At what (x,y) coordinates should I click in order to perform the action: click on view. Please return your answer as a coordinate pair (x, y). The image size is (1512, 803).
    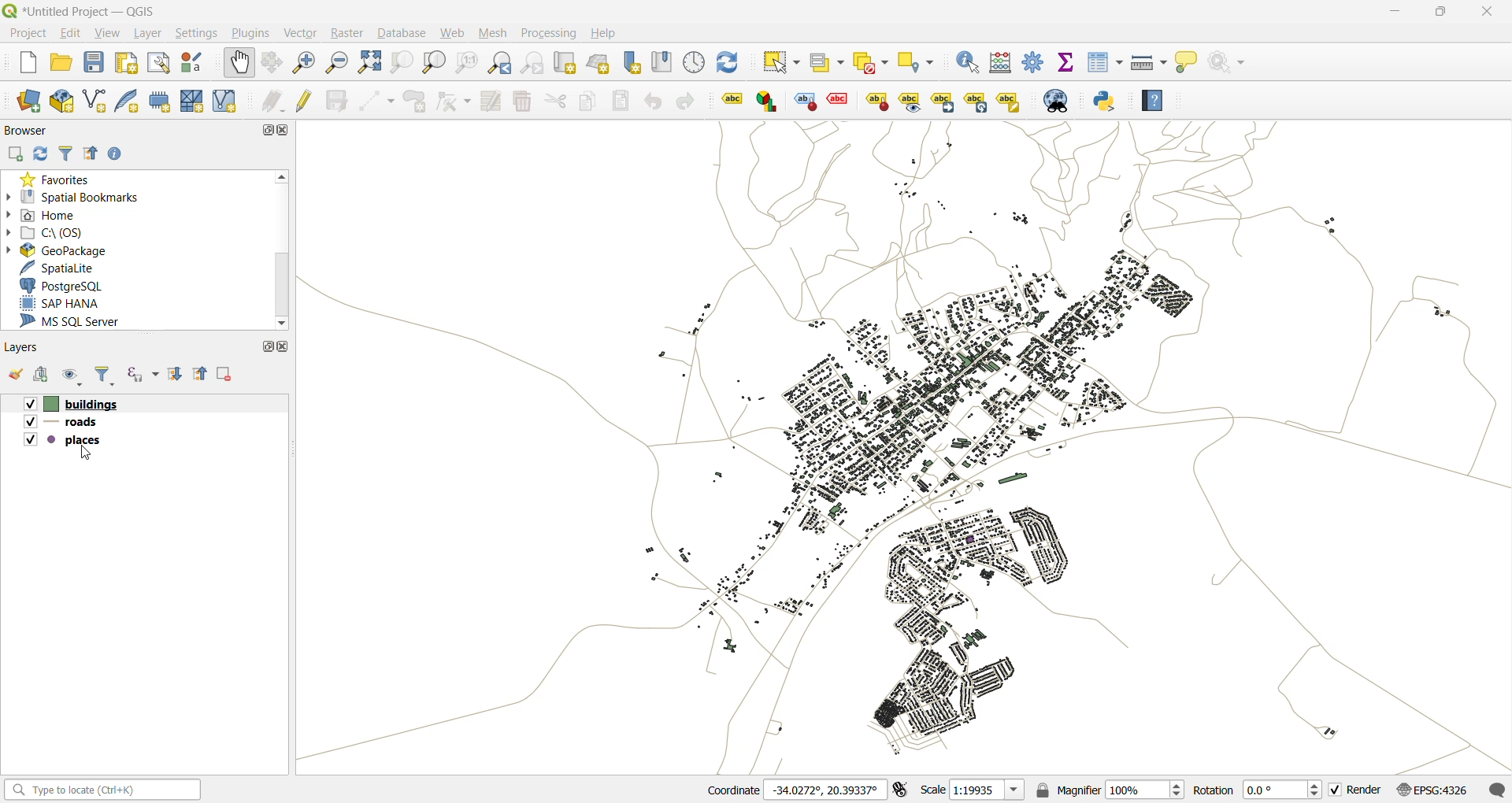
    Looking at the image, I should click on (112, 35).